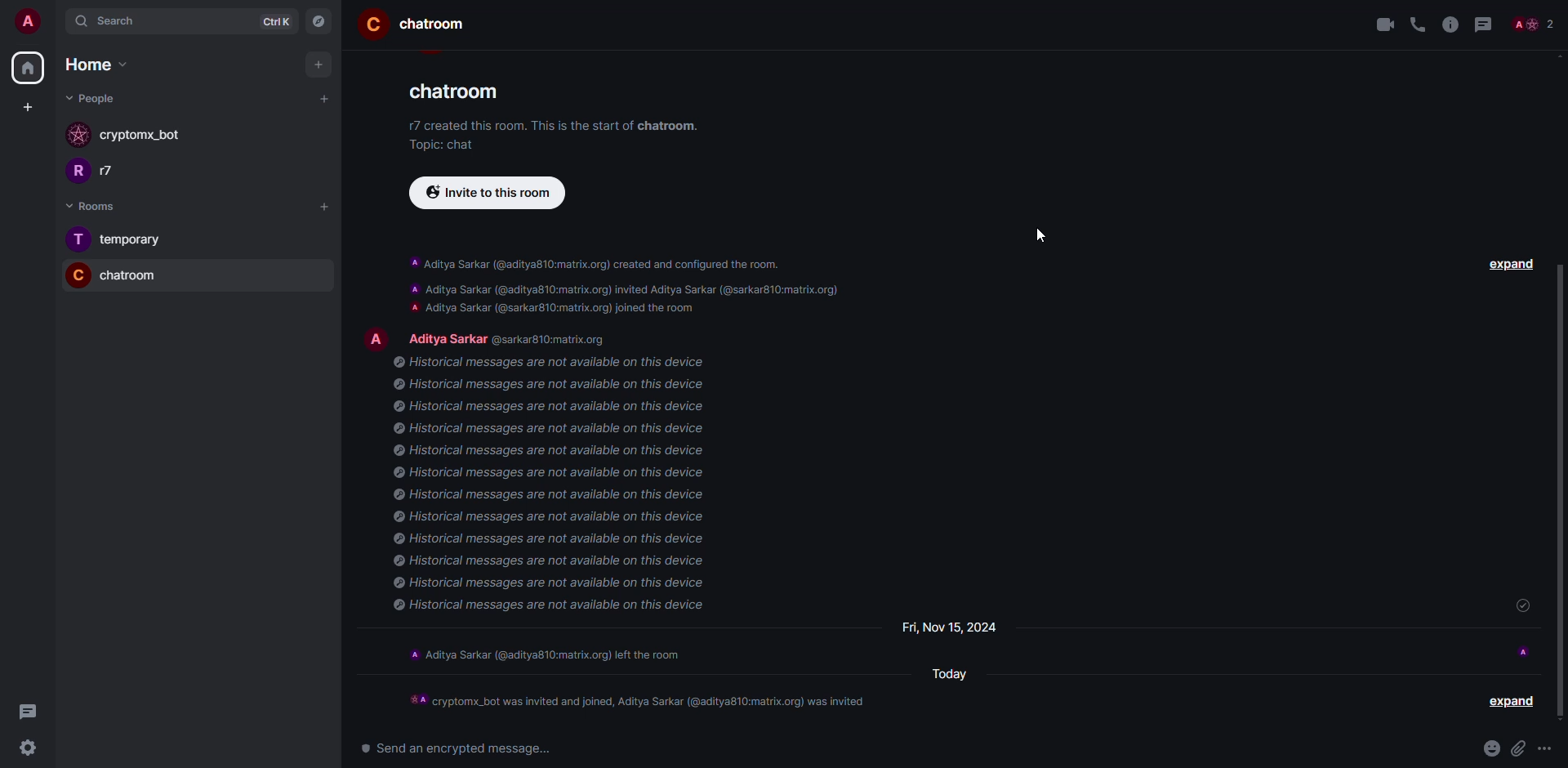 The width and height of the screenshot is (1568, 768). I want to click on more, so click(1547, 748).